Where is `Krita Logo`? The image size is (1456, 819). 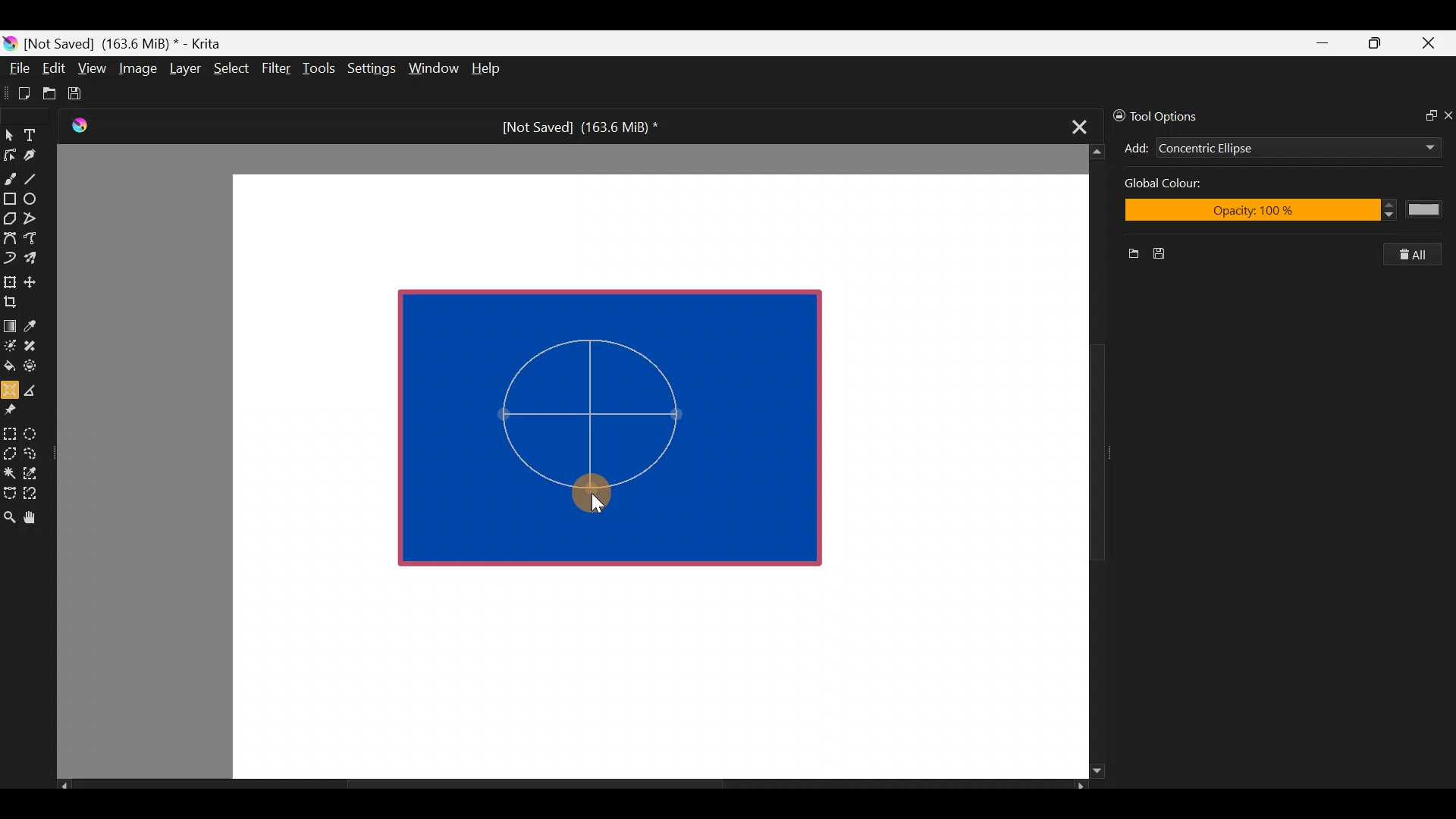 Krita Logo is located at coordinates (77, 125).